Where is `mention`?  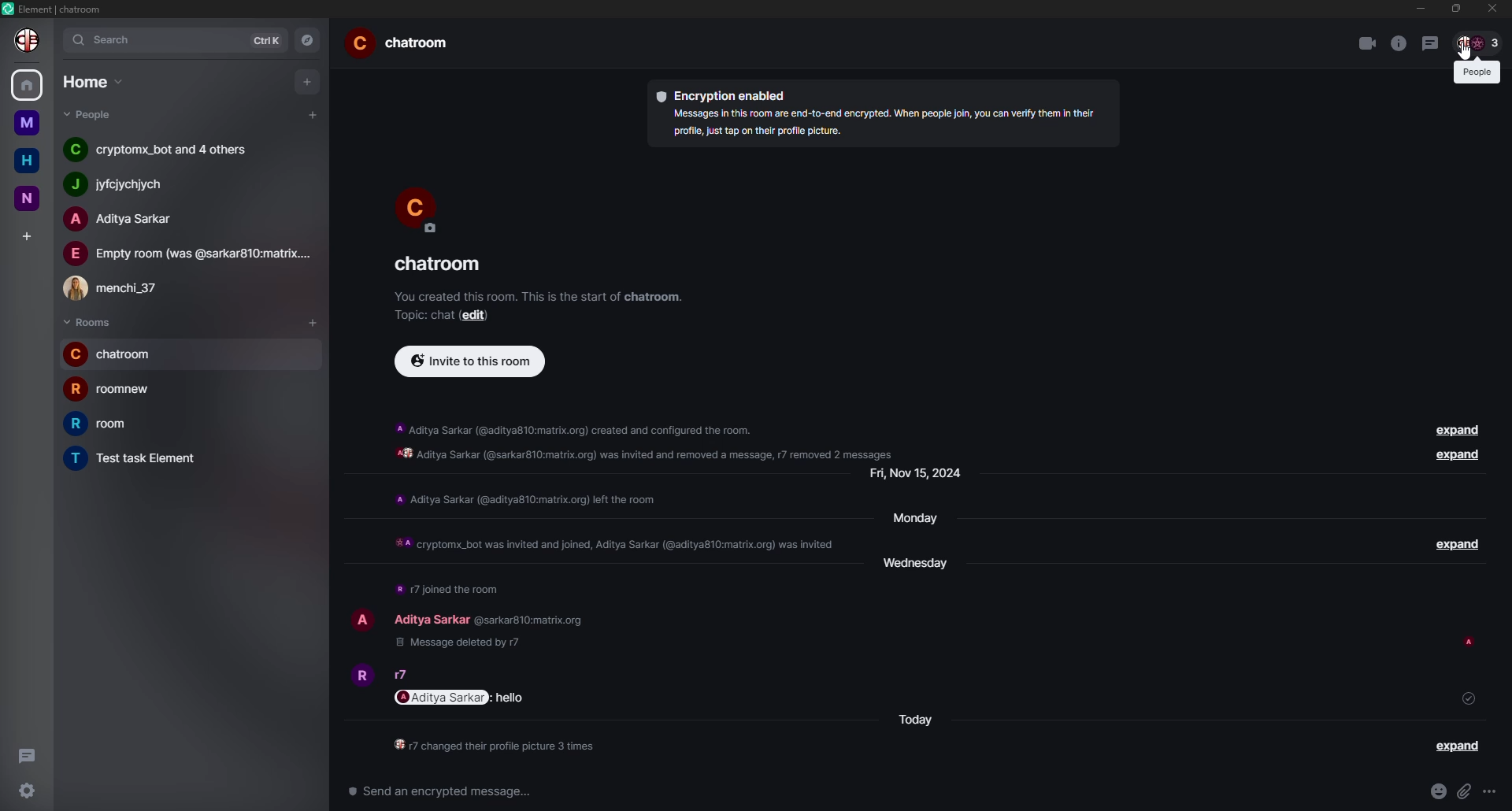 mention is located at coordinates (443, 697).